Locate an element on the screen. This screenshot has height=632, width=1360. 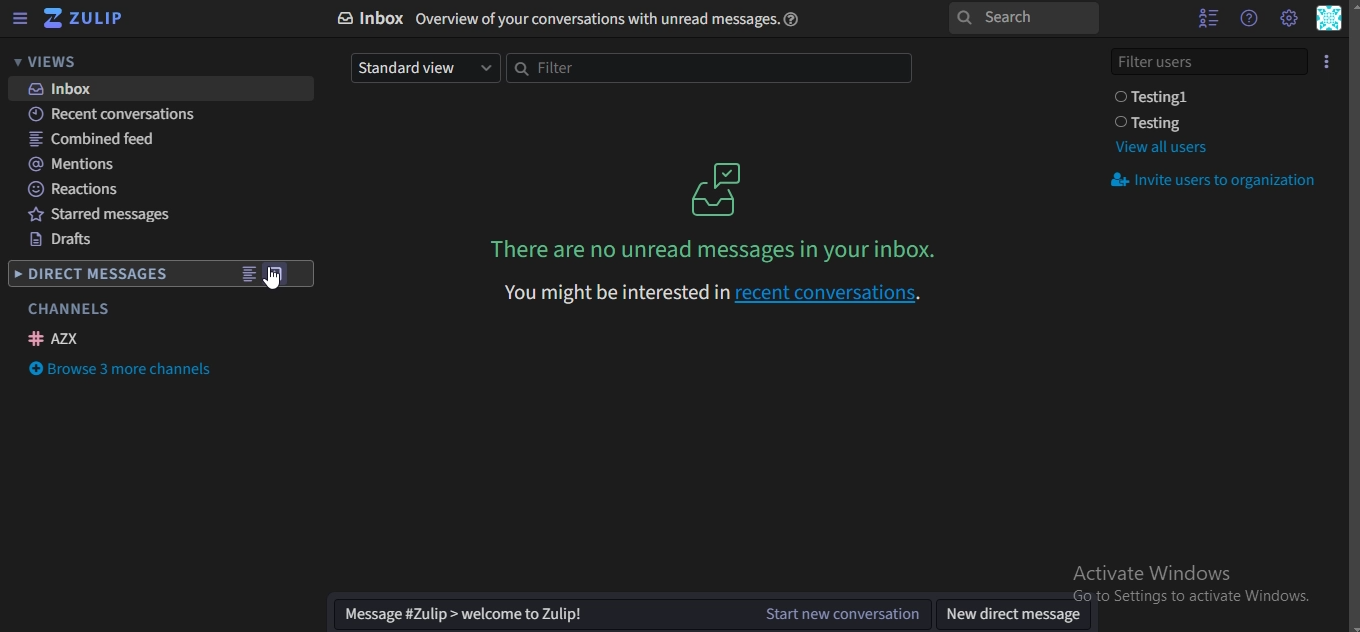
personal menu is located at coordinates (1330, 20).